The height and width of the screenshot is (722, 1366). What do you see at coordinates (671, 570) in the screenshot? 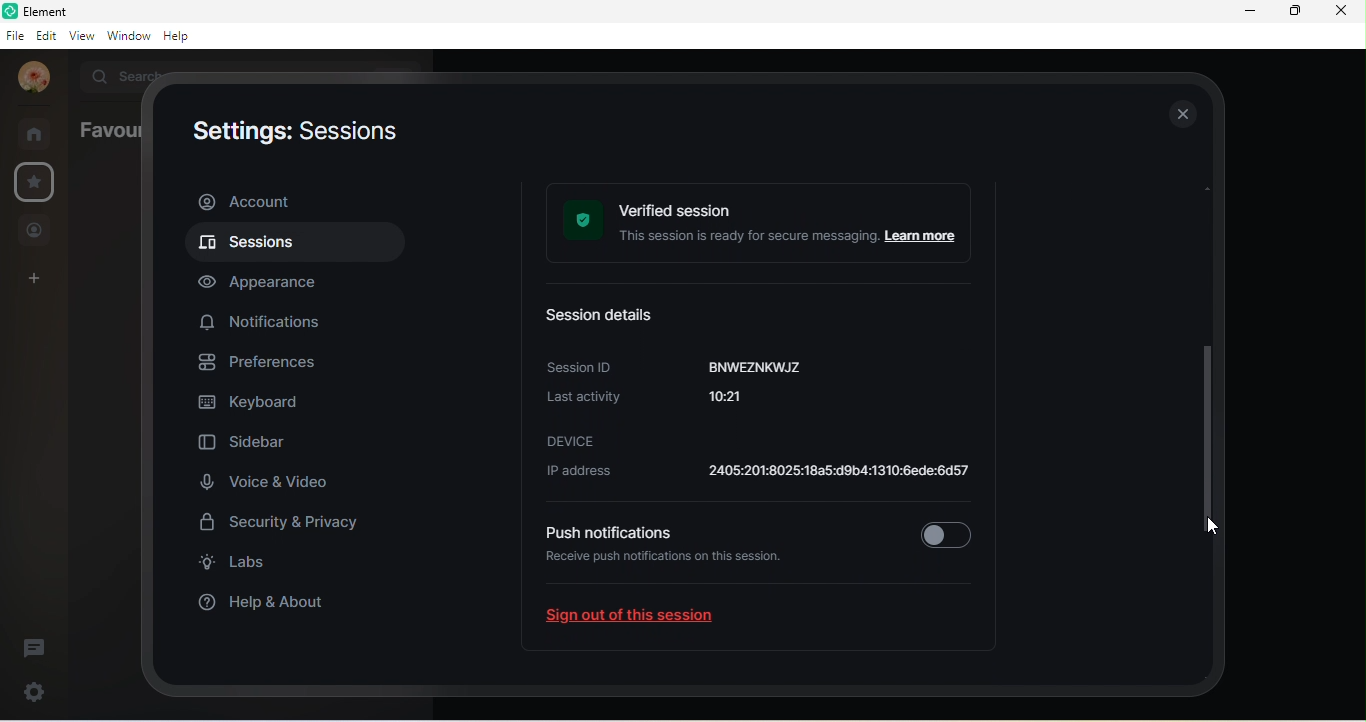
I see `receive push notifications on this session` at bounding box center [671, 570].